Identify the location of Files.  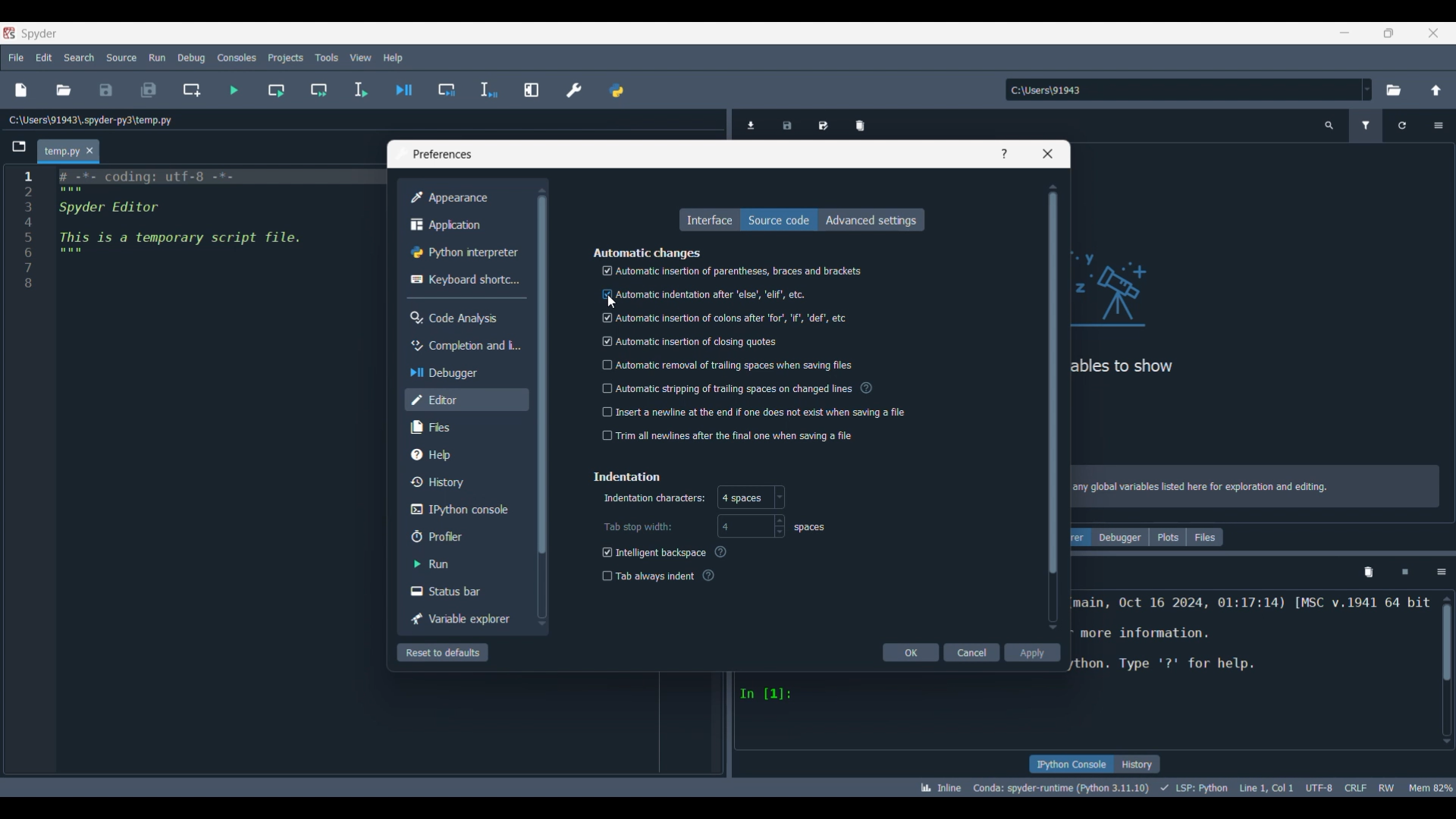
(467, 428).